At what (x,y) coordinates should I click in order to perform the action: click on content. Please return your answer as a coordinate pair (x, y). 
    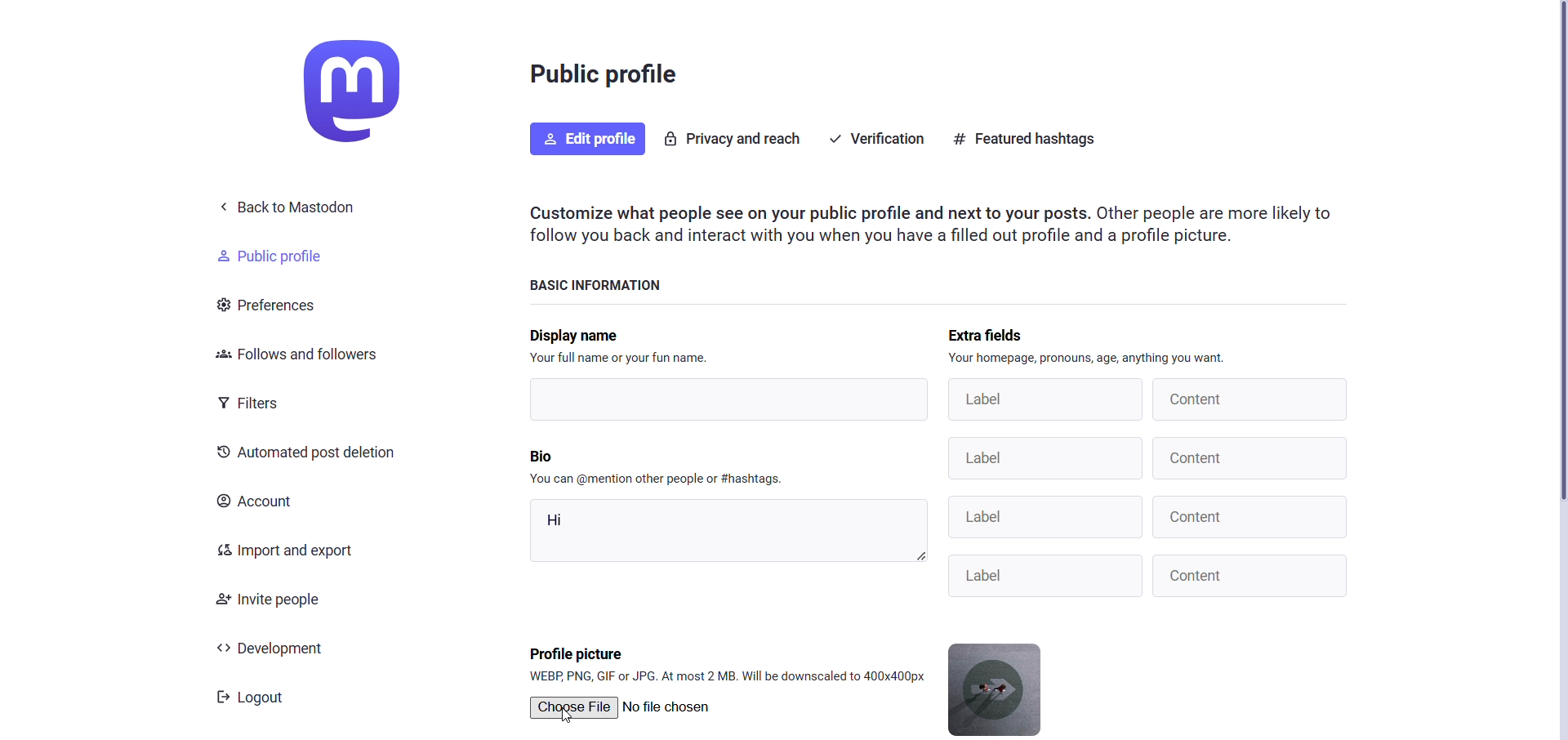
    Looking at the image, I should click on (1250, 399).